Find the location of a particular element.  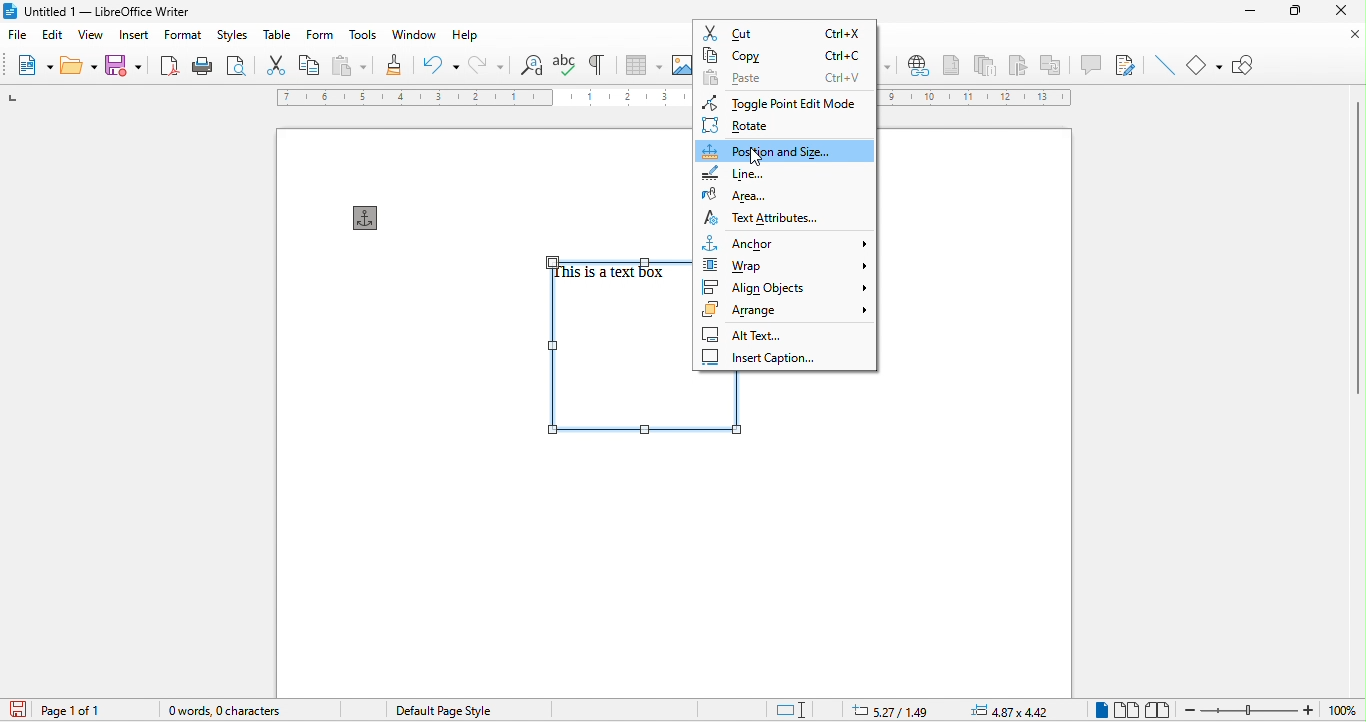

toggle point edit mode is located at coordinates (781, 102).